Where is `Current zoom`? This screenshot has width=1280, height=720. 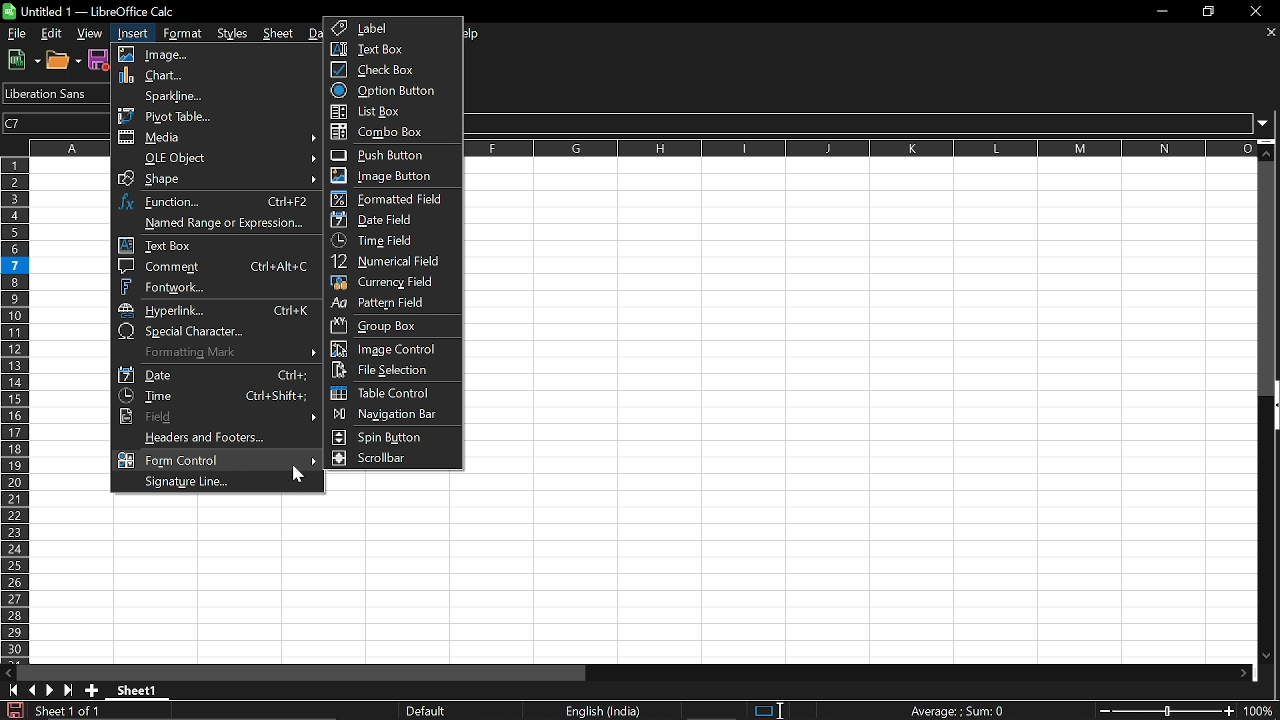
Current zoom is located at coordinates (1262, 711).